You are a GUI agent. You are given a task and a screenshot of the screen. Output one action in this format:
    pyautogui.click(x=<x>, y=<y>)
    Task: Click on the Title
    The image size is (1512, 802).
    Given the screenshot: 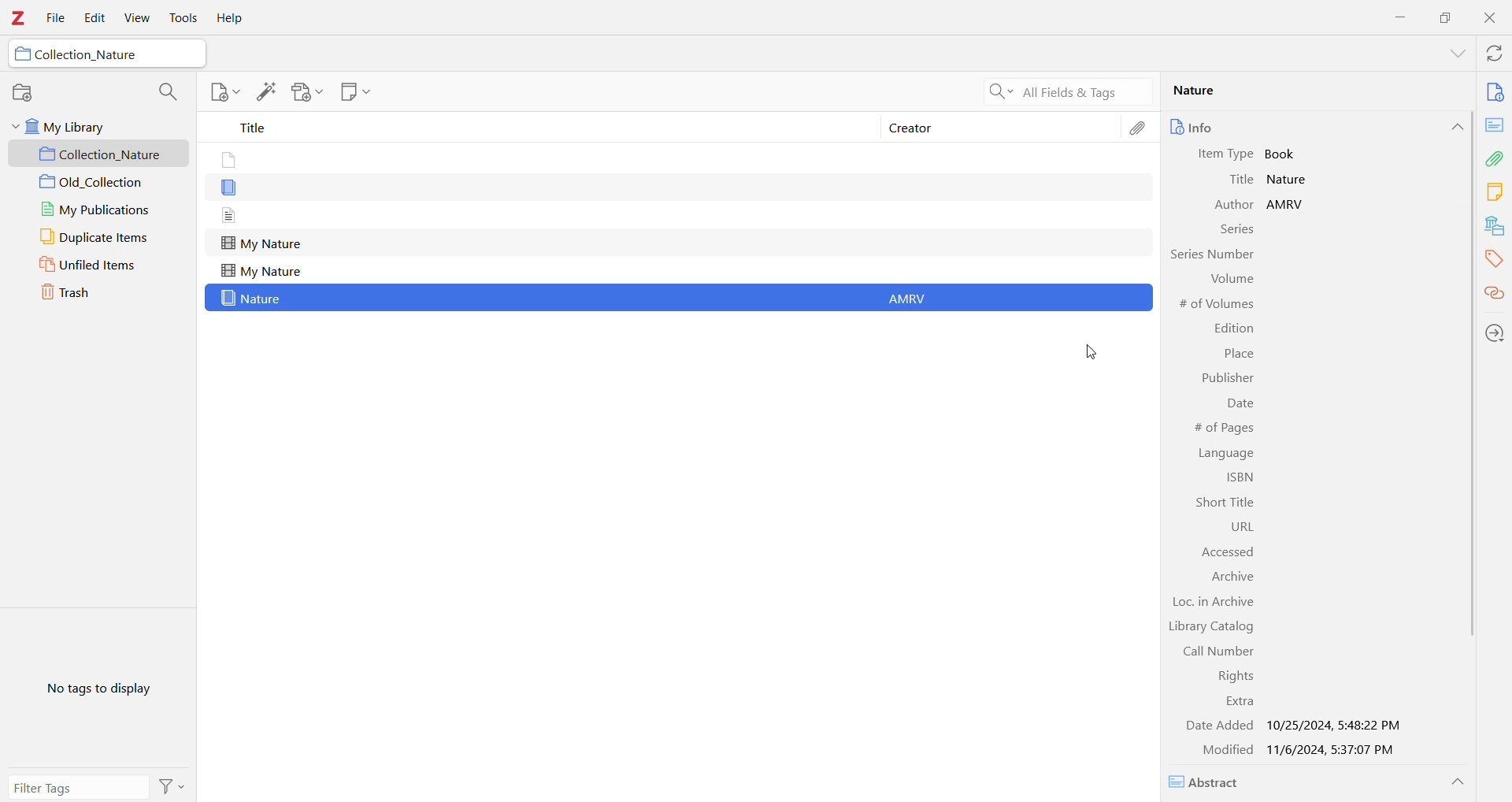 What is the action you would take?
    pyautogui.click(x=1243, y=180)
    